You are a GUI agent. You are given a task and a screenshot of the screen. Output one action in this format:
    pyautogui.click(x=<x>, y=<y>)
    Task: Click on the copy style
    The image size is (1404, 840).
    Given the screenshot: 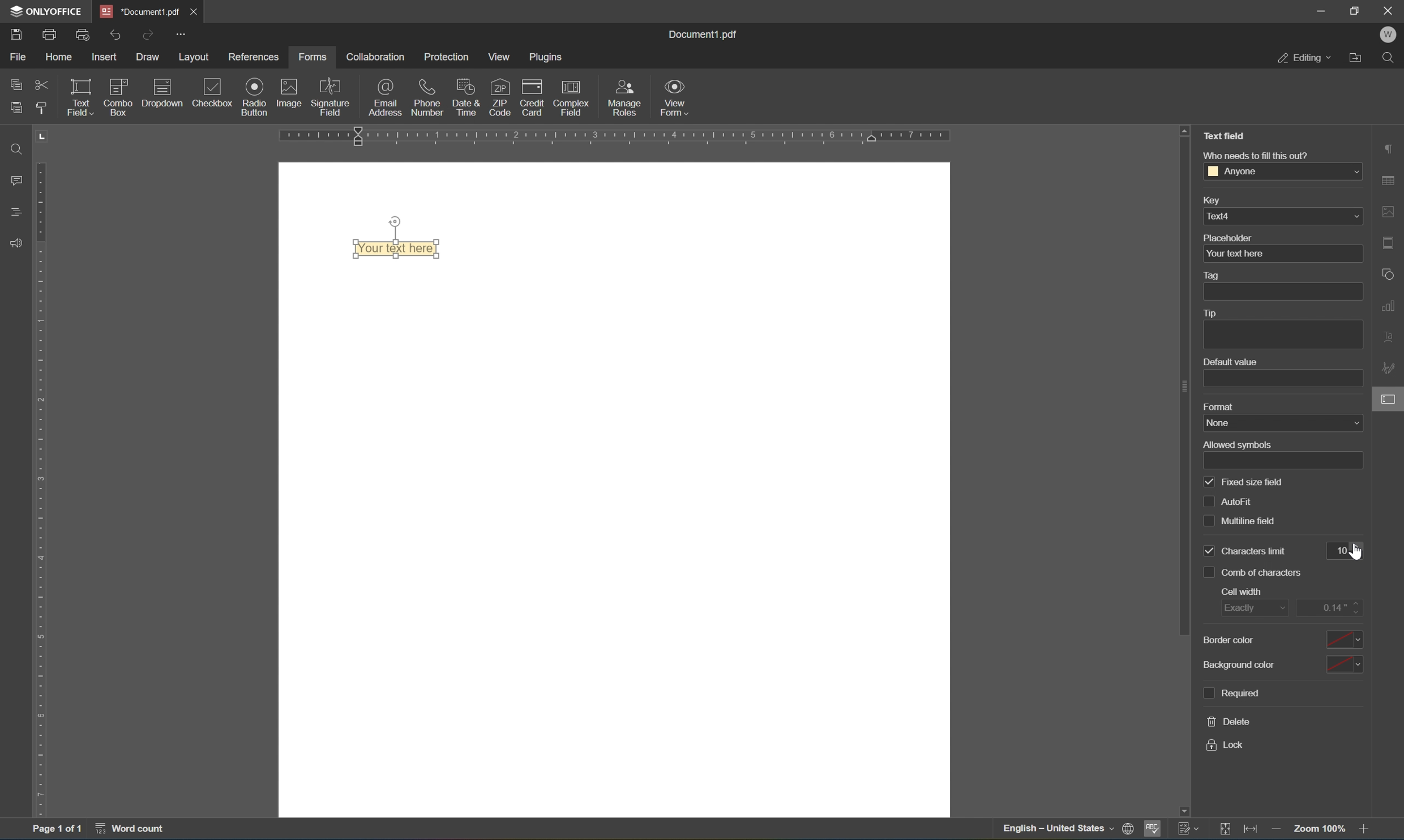 What is the action you would take?
    pyautogui.click(x=41, y=108)
    